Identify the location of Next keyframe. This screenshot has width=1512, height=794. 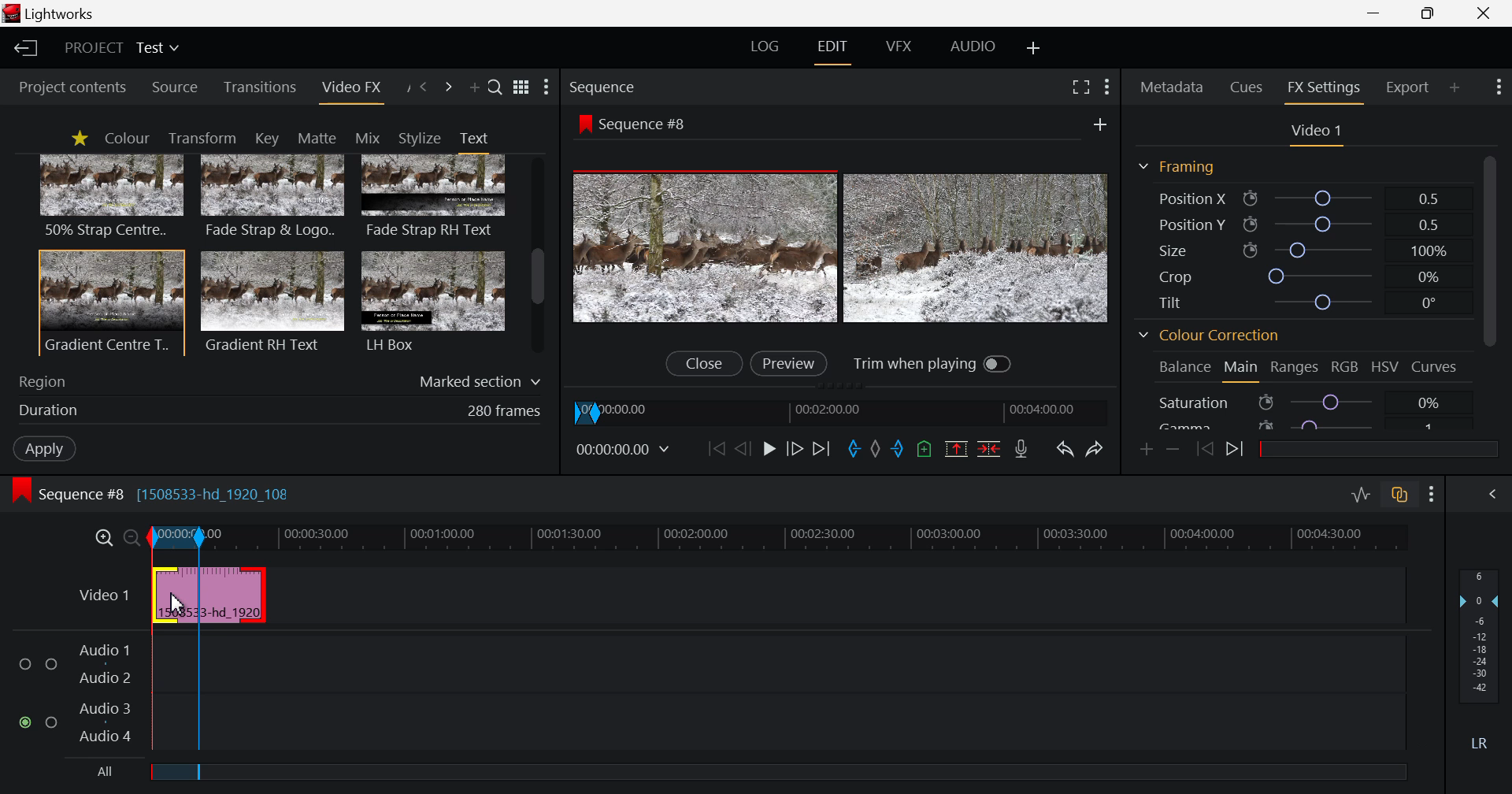
(1237, 450).